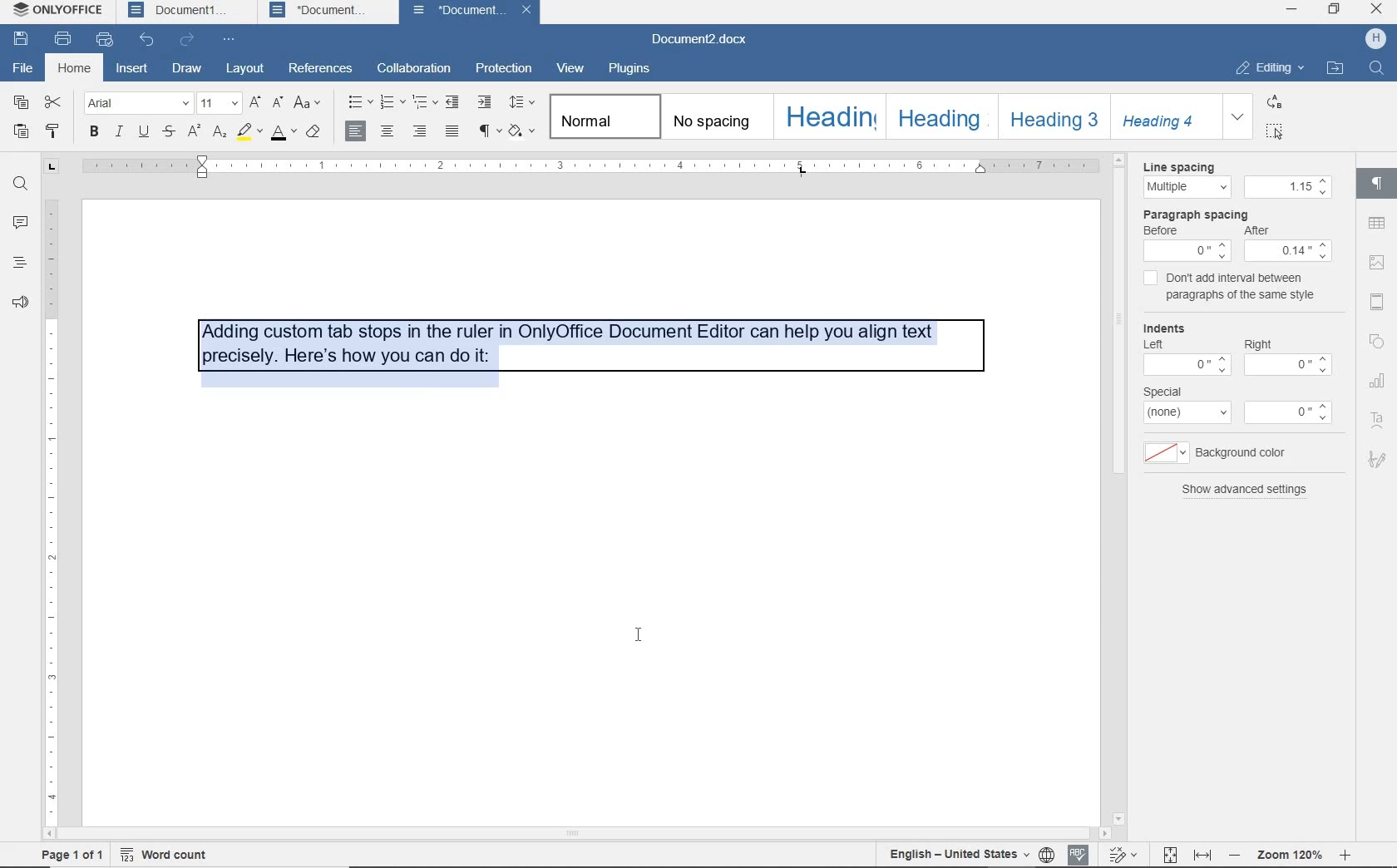 The height and width of the screenshot is (868, 1397). I want to click on replace, so click(1276, 103).